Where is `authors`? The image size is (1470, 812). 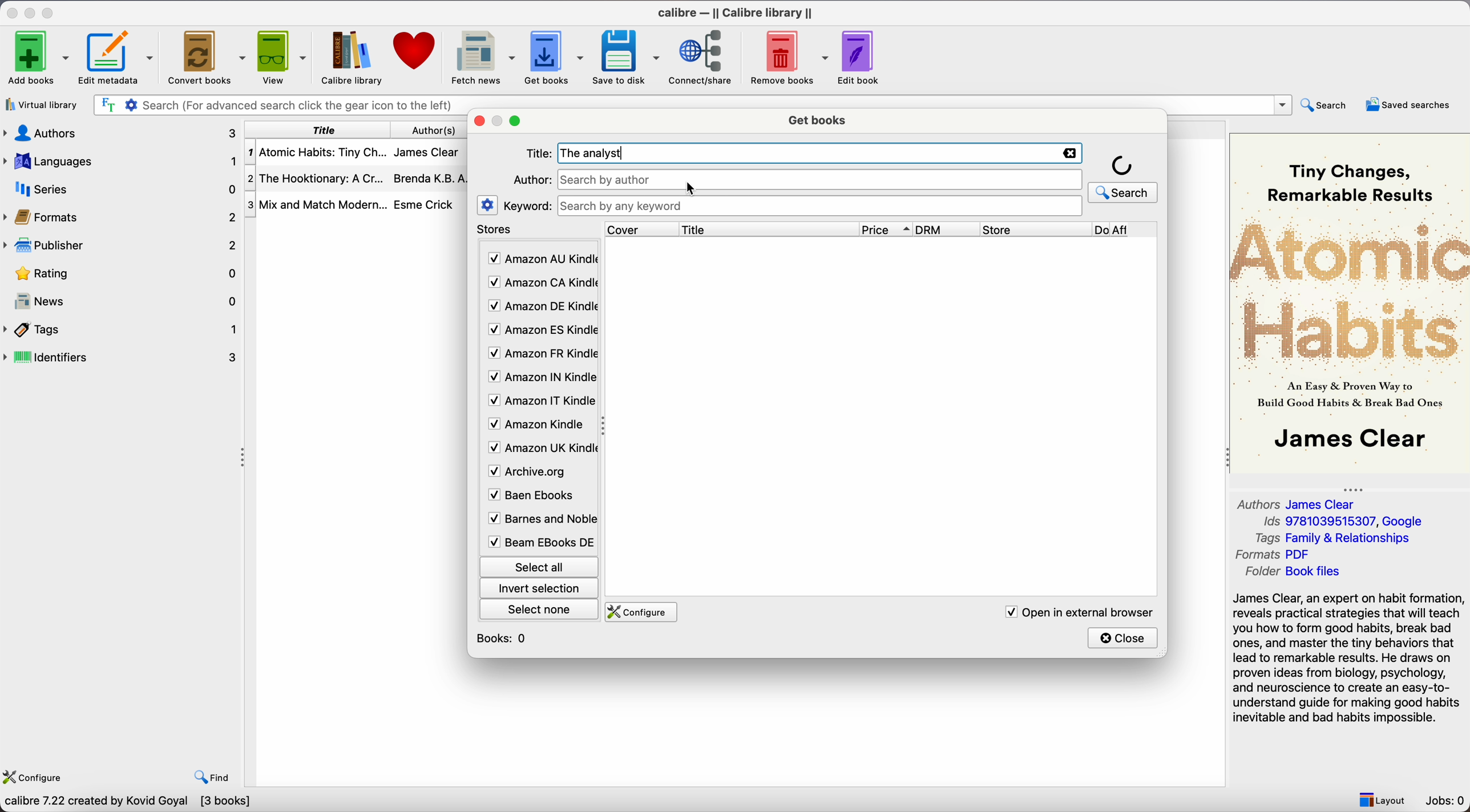
authors is located at coordinates (434, 131).